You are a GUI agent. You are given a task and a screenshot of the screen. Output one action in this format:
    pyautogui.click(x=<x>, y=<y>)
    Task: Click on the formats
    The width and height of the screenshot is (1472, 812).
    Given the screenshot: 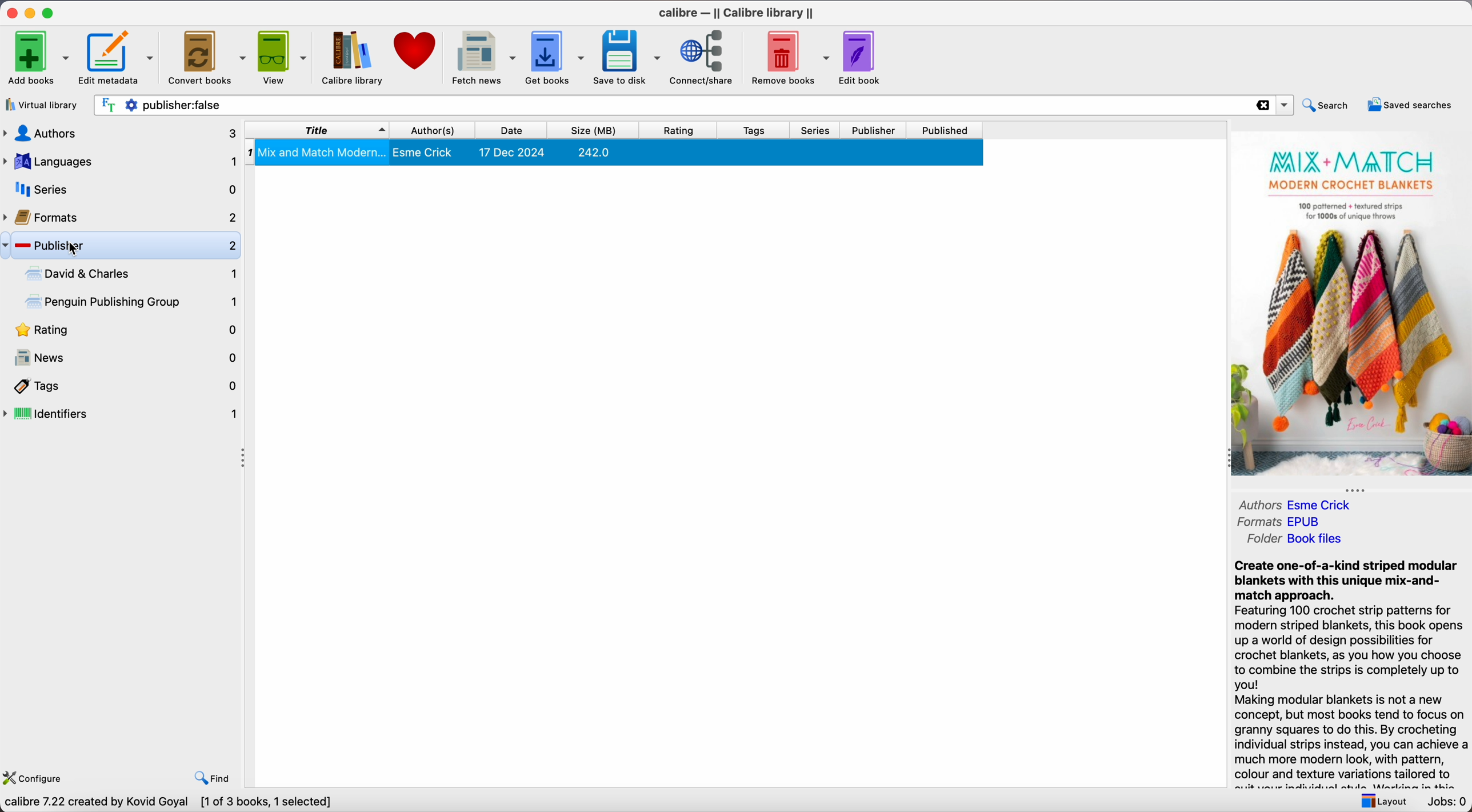 What is the action you would take?
    pyautogui.click(x=121, y=215)
    